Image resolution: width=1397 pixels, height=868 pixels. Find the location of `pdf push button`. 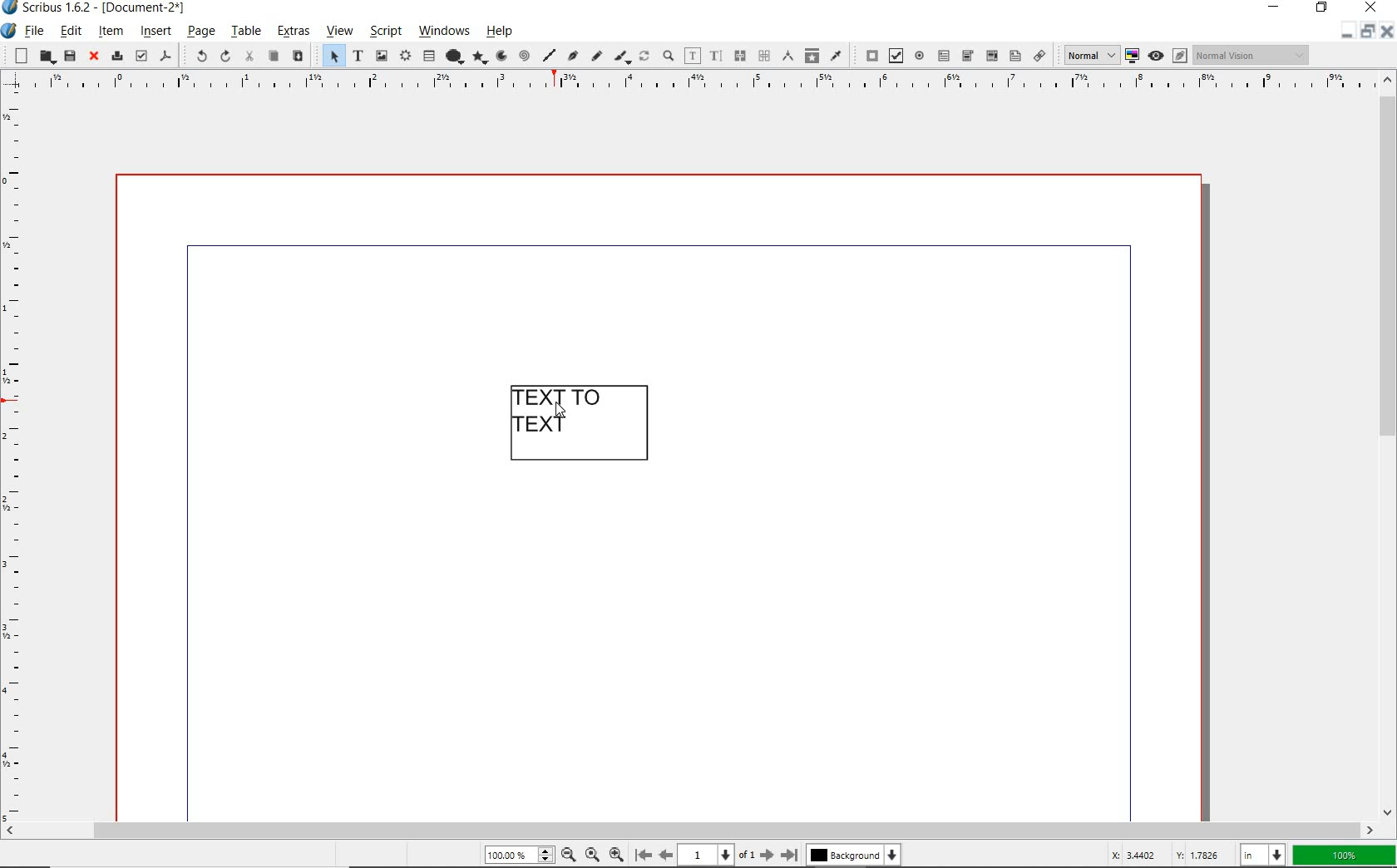

pdf push button is located at coordinates (866, 56).